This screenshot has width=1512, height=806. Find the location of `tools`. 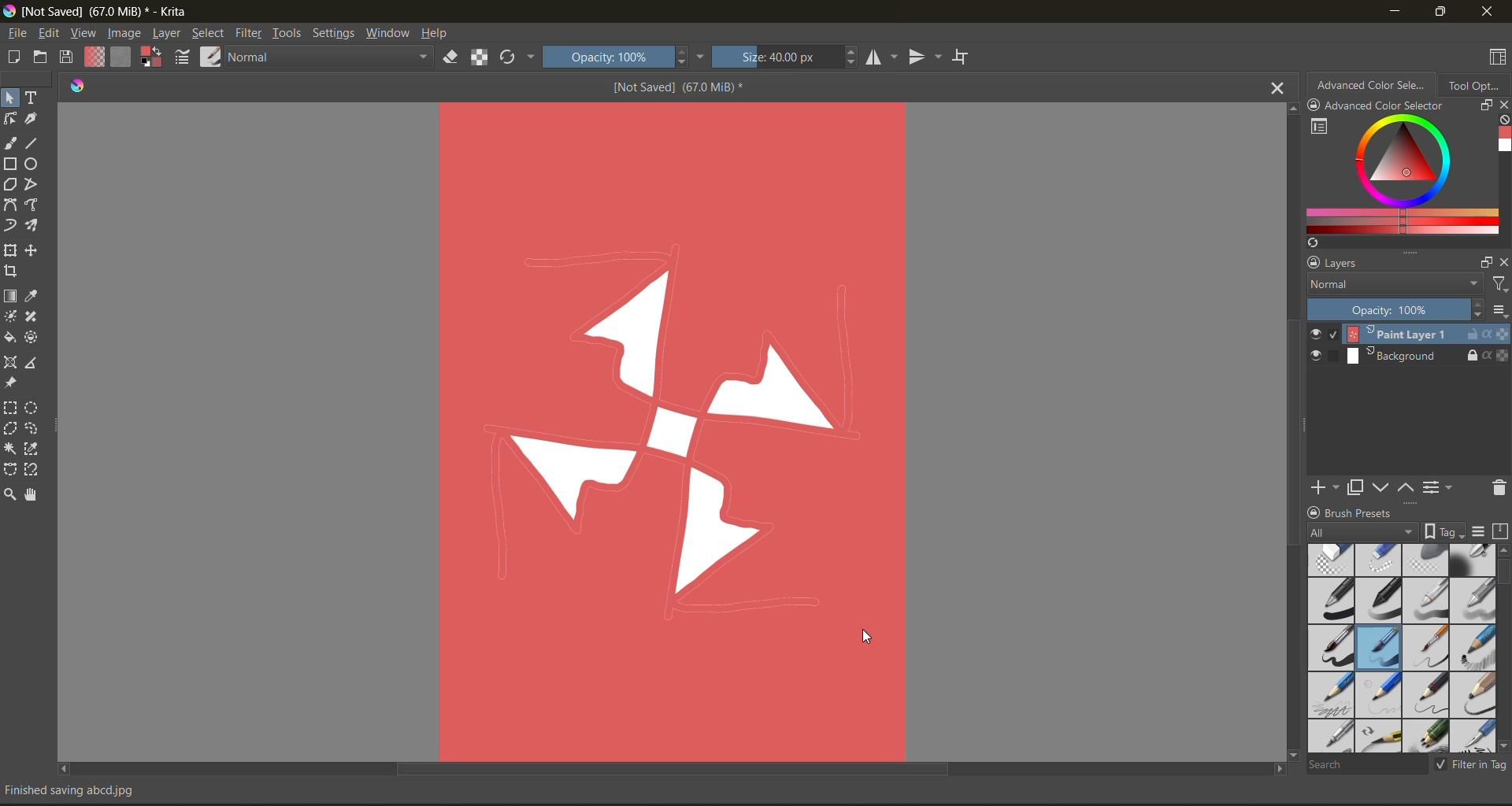

tools is located at coordinates (9, 141).